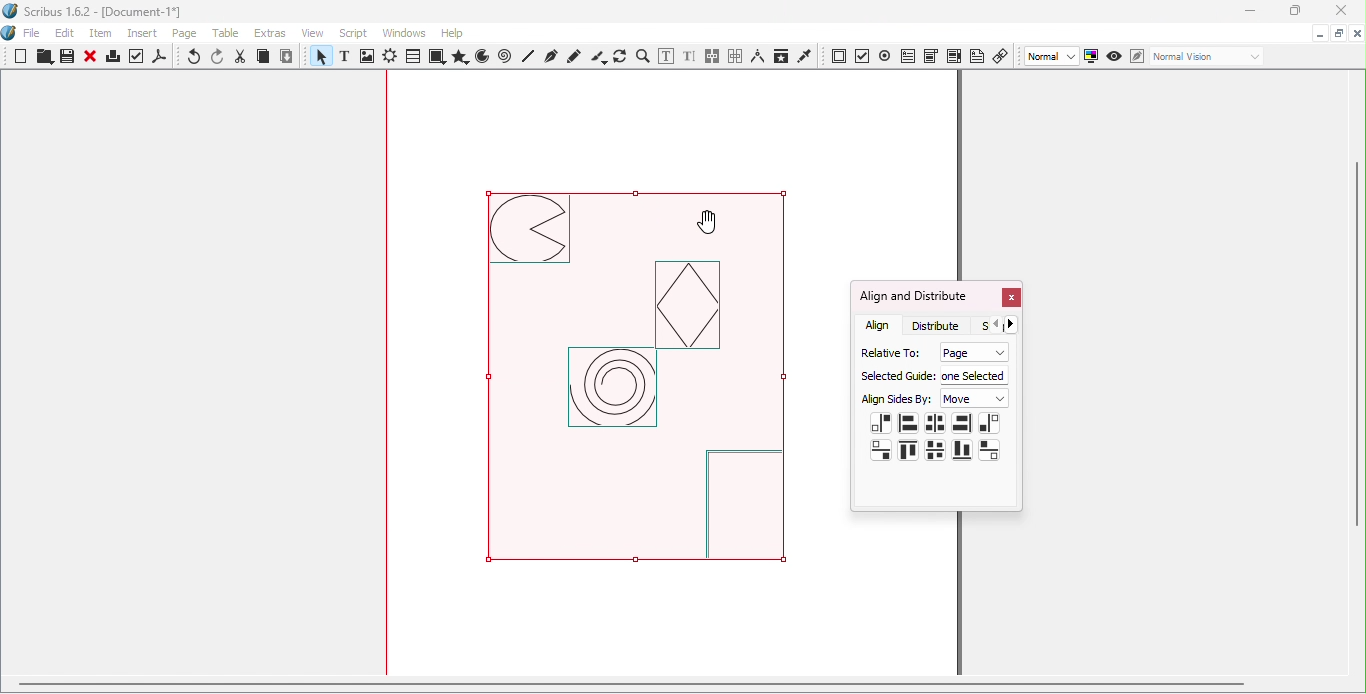 This screenshot has height=694, width=1366. I want to click on Align tops of items to bottom of anchor, so click(989, 449).